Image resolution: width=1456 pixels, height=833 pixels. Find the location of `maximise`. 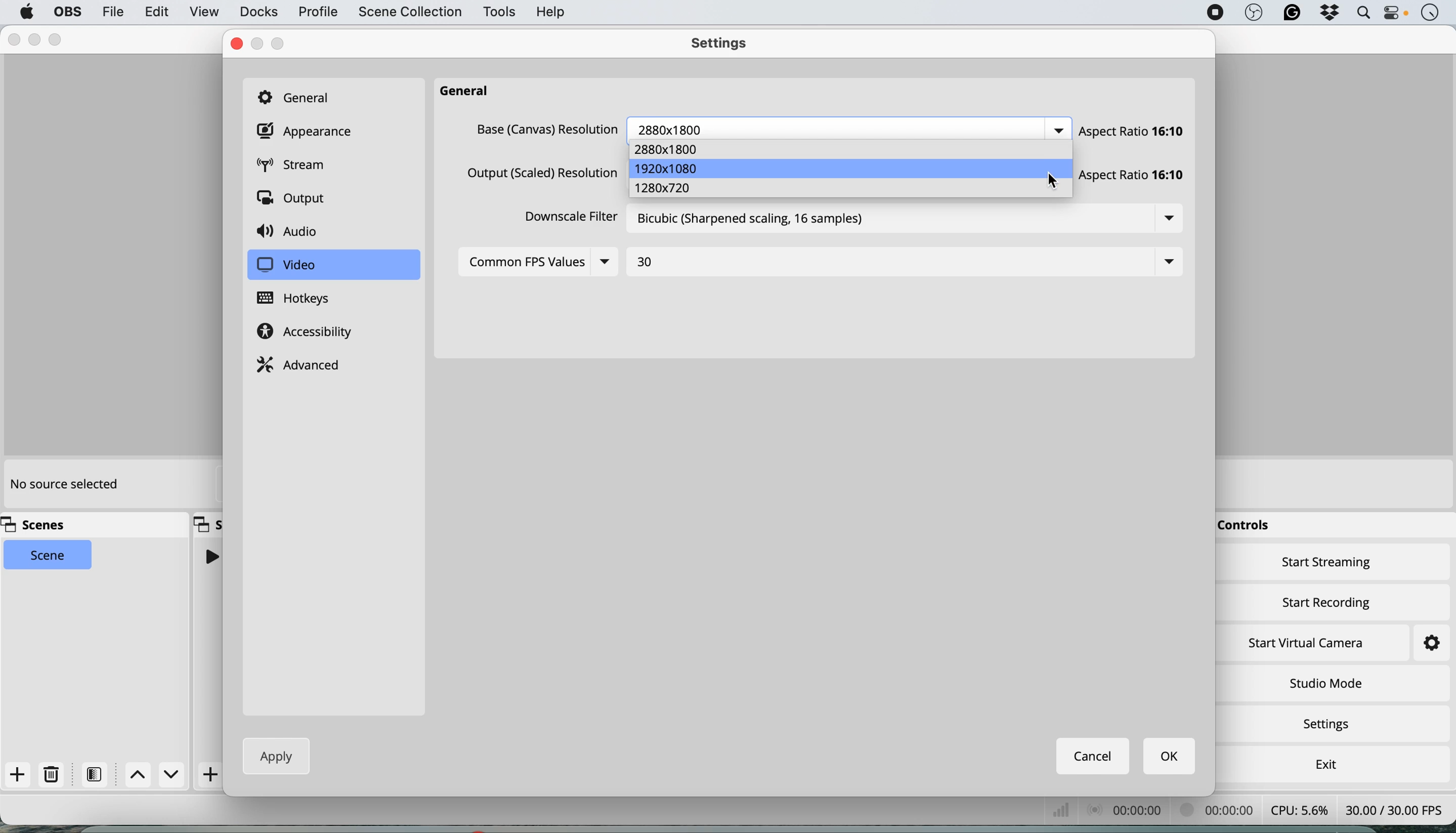

maximise is located at coordinates (283, 43).